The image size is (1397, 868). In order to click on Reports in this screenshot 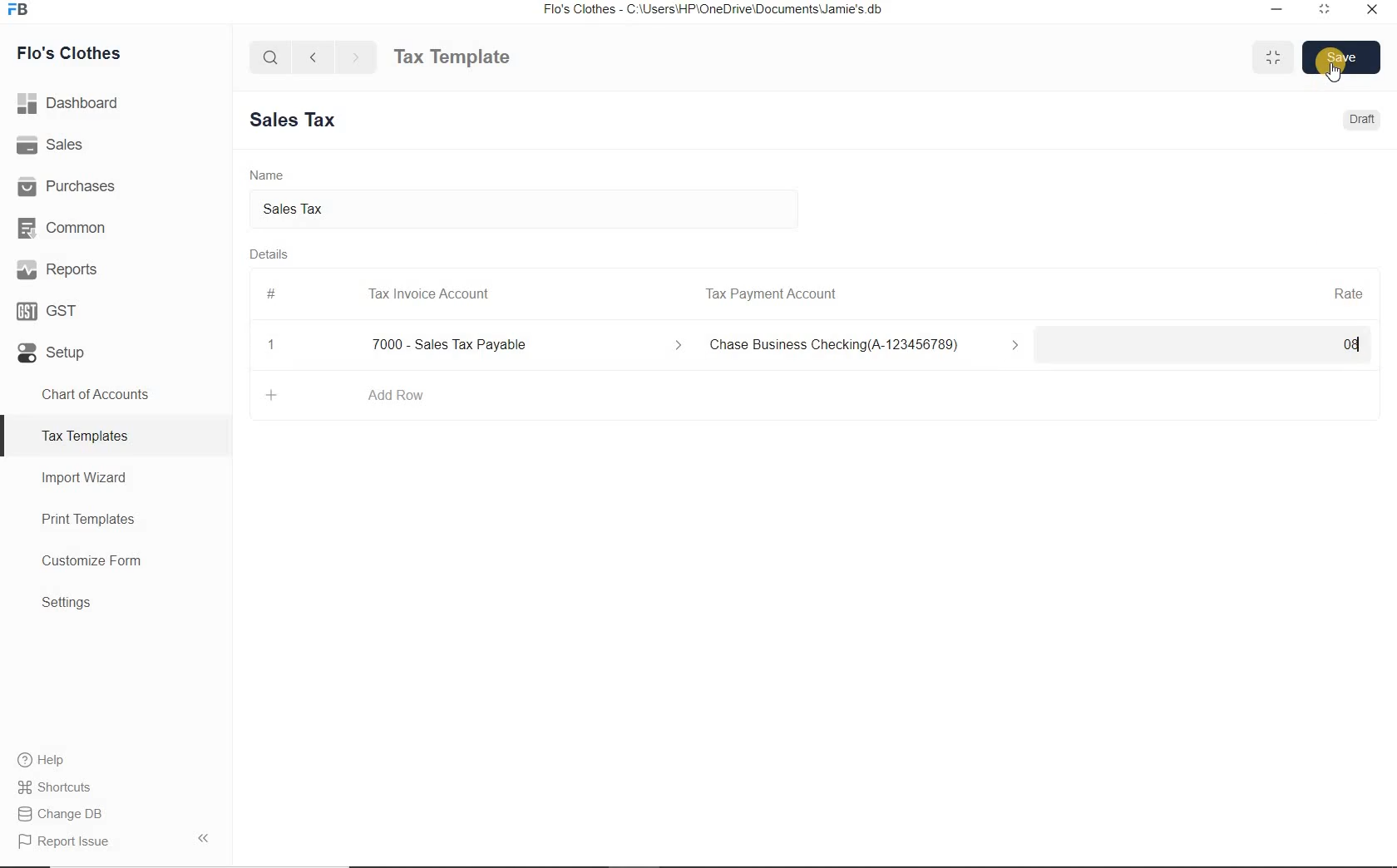, I will do `click(116, 268)`.